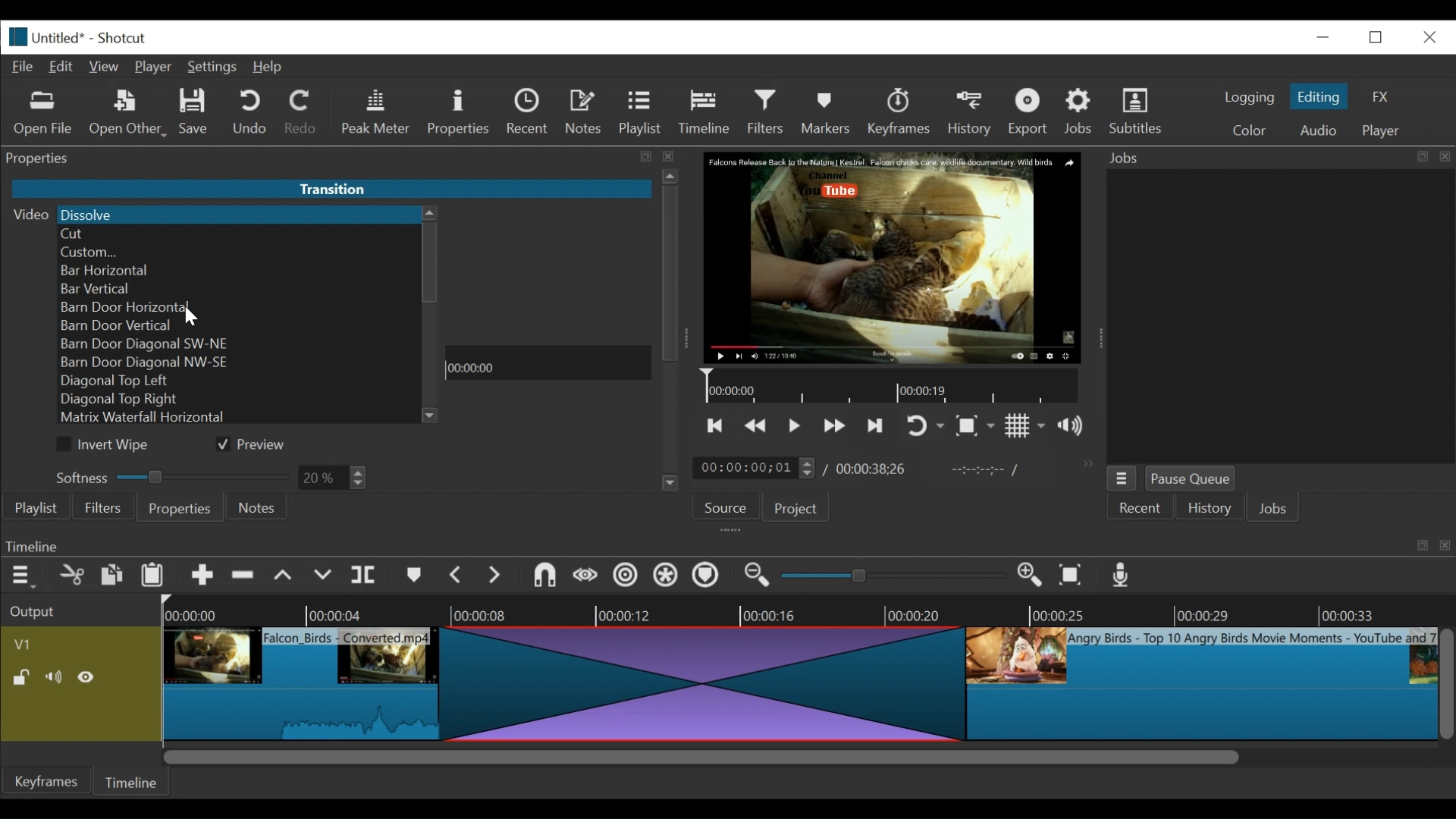 The height and width of the screenshot is (819, 1456). Describe the element at coordinates (1323, 36) in the screenshot. I see `minimize` at that location.